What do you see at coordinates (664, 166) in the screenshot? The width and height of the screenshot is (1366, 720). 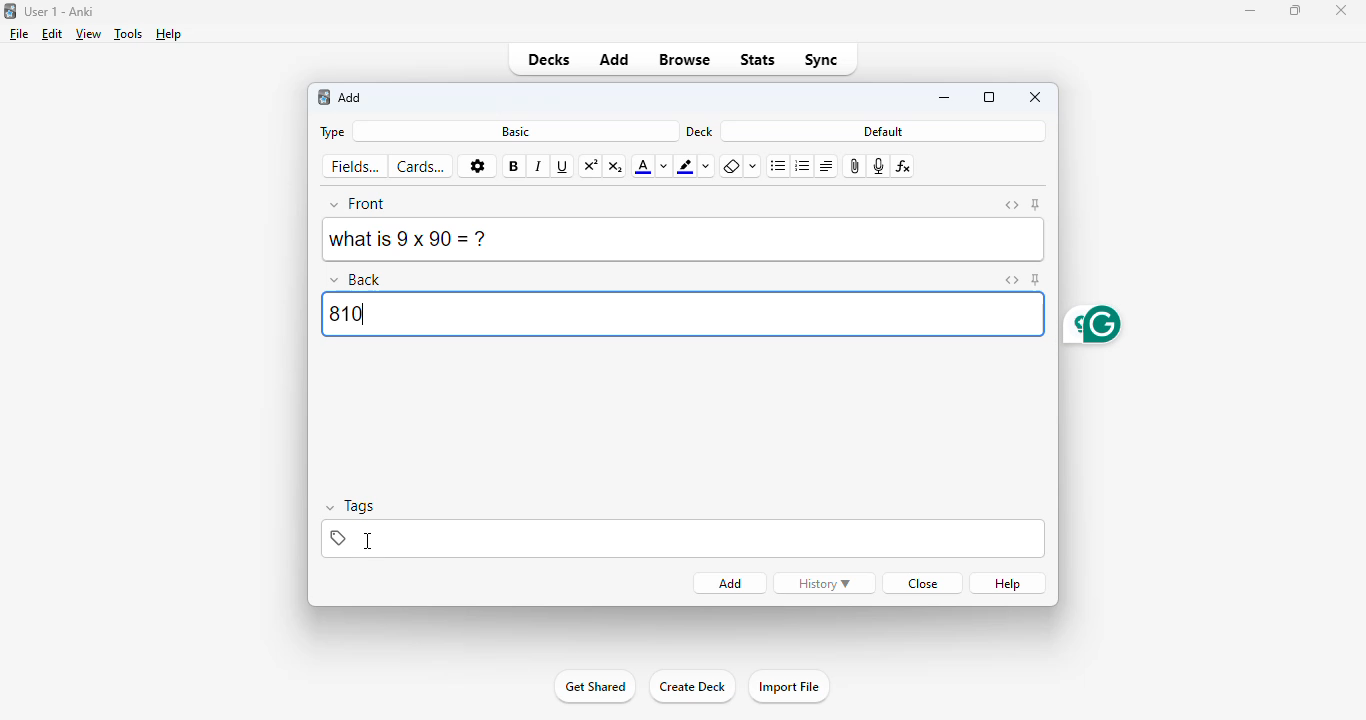 I see `change color` at bounding box center [664, 166].